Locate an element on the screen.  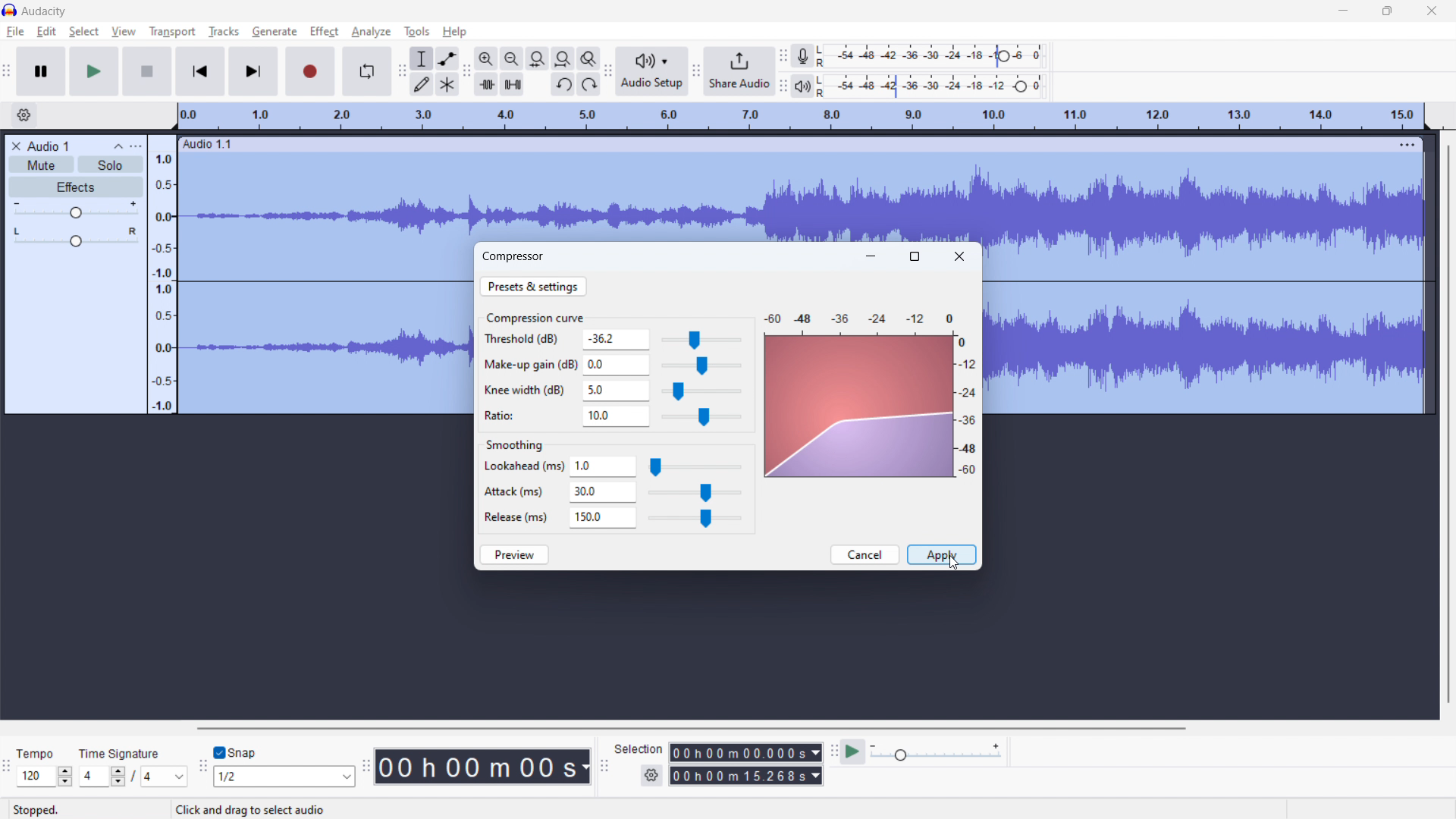
30.0 is located at coordinates (603, 493).